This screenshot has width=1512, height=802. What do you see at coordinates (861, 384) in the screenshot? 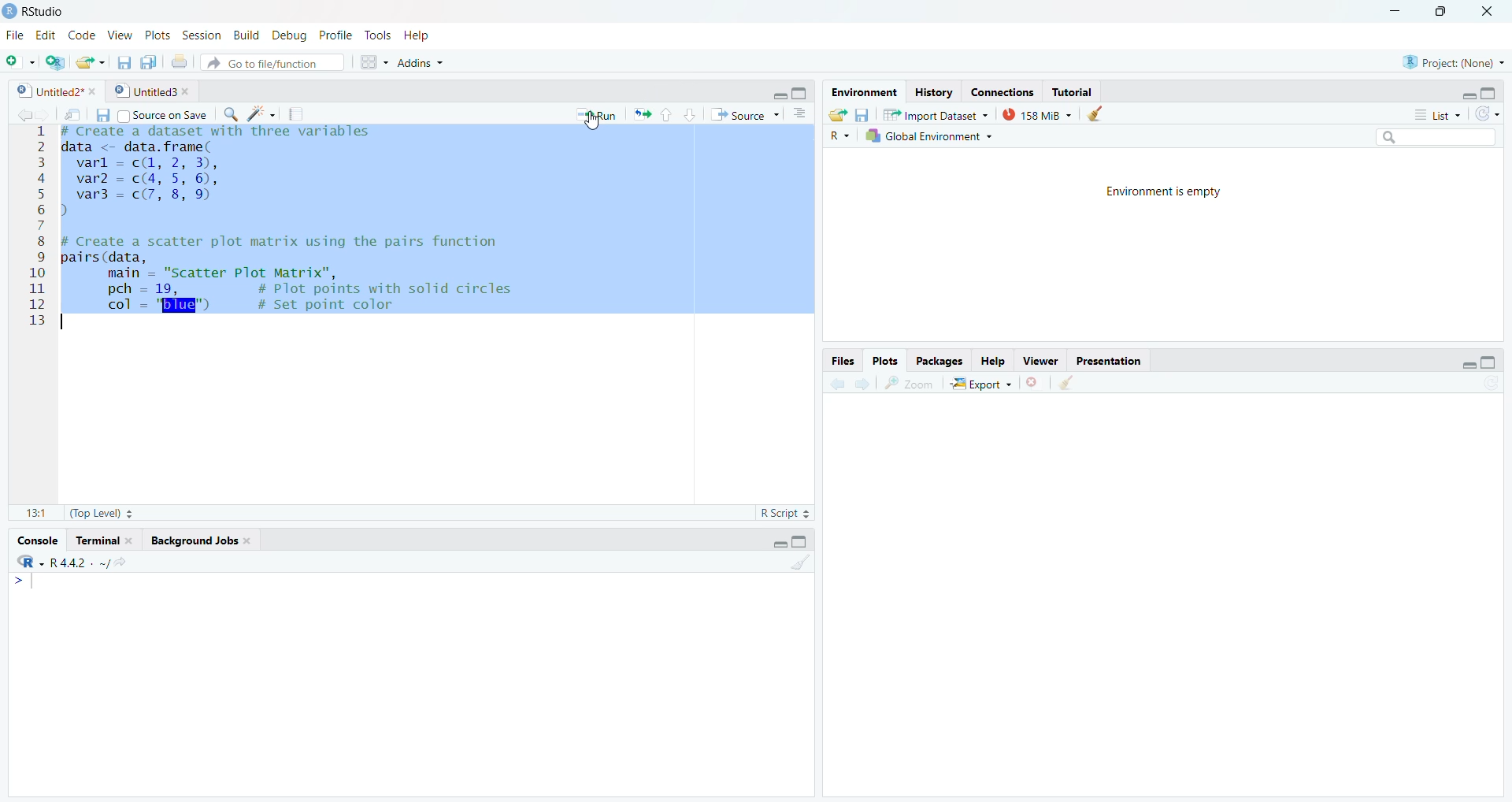
I see `Backward` at bounding box center [861, 384].